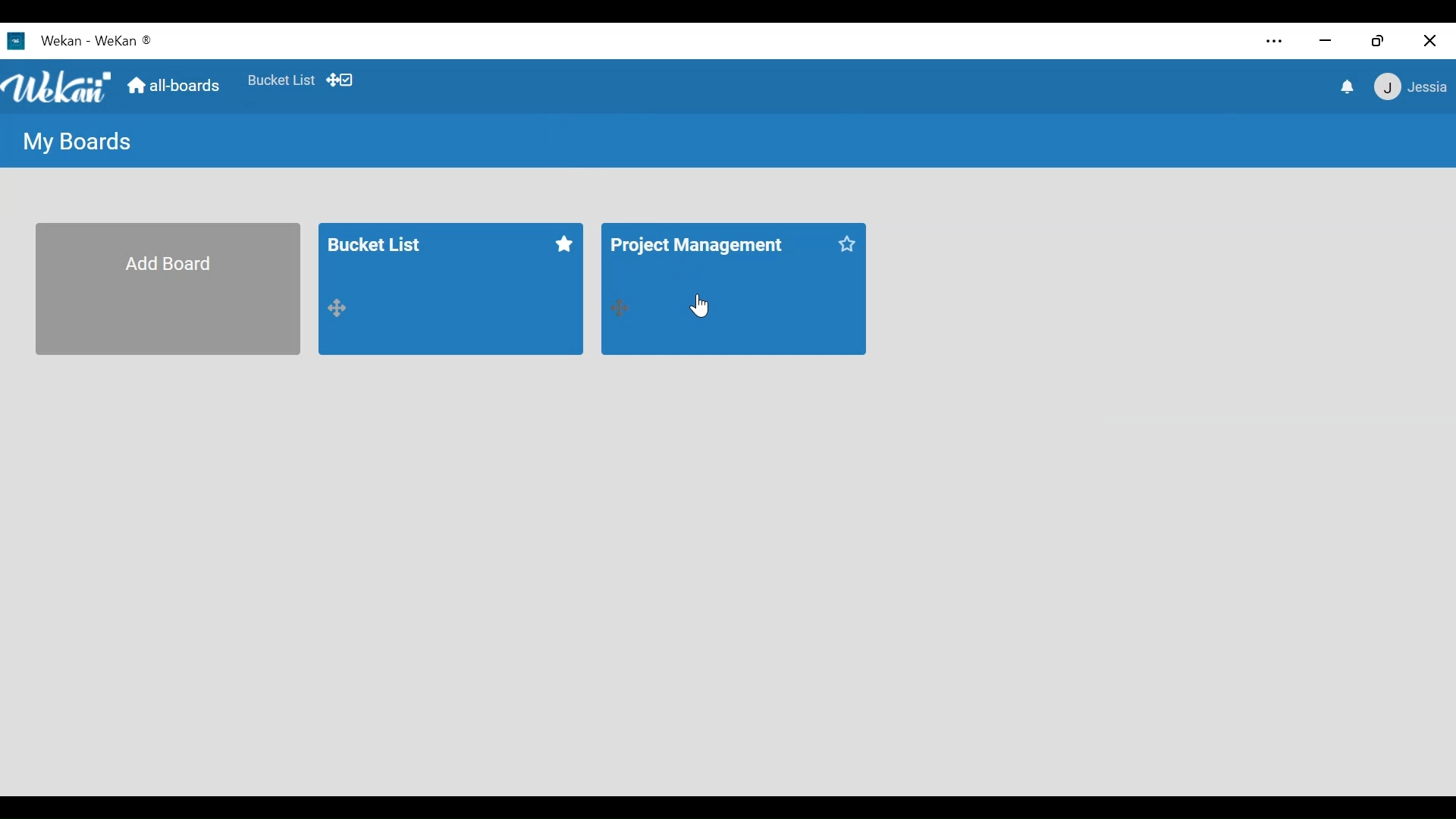 The height and width of the screenshot is (819, 1456). I want to click on board 1, so click(452, 287).